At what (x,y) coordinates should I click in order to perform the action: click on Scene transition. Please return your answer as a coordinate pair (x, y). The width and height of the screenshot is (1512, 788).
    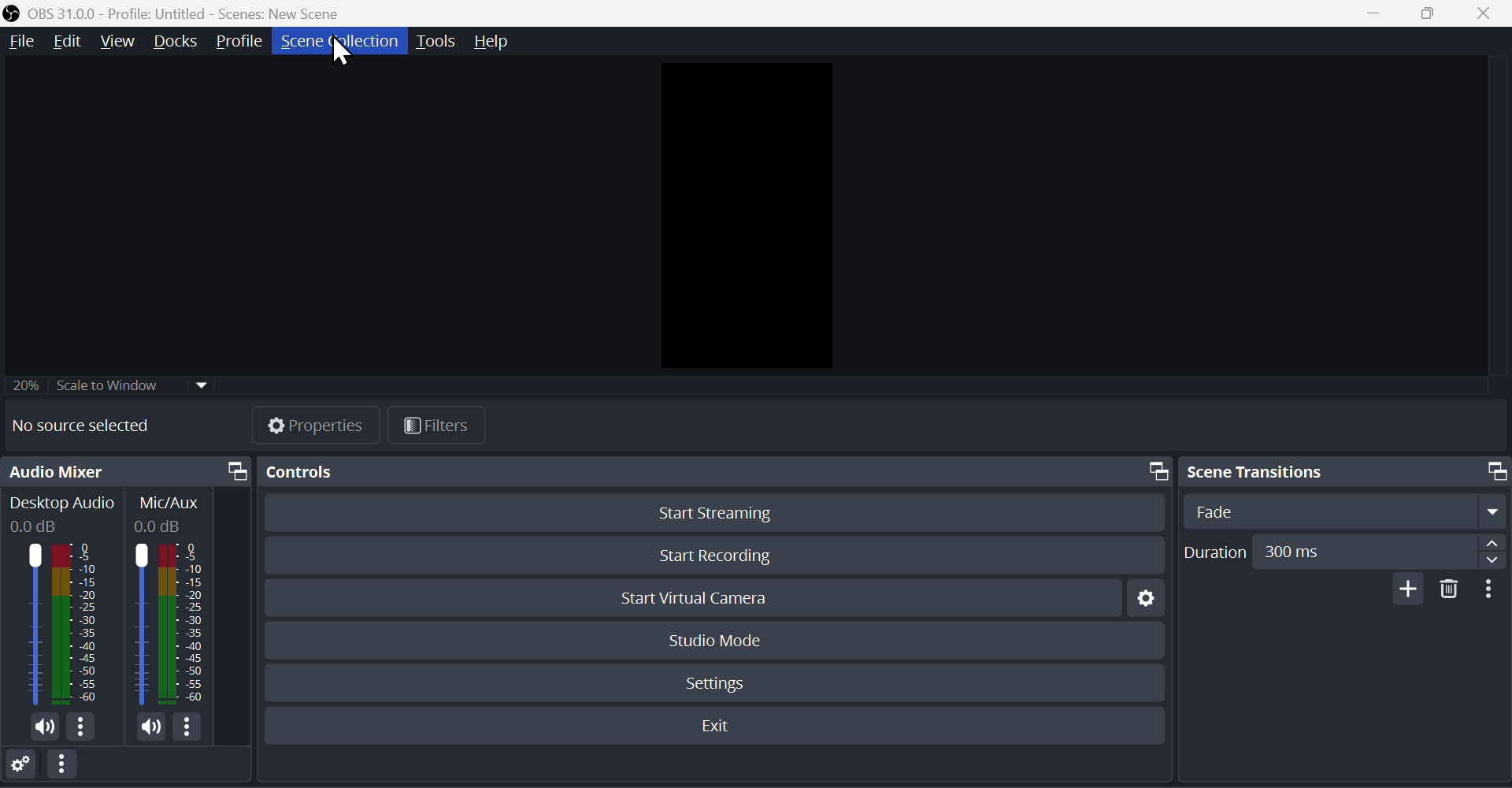
    Looking at the image, I should click on (1343, 470).